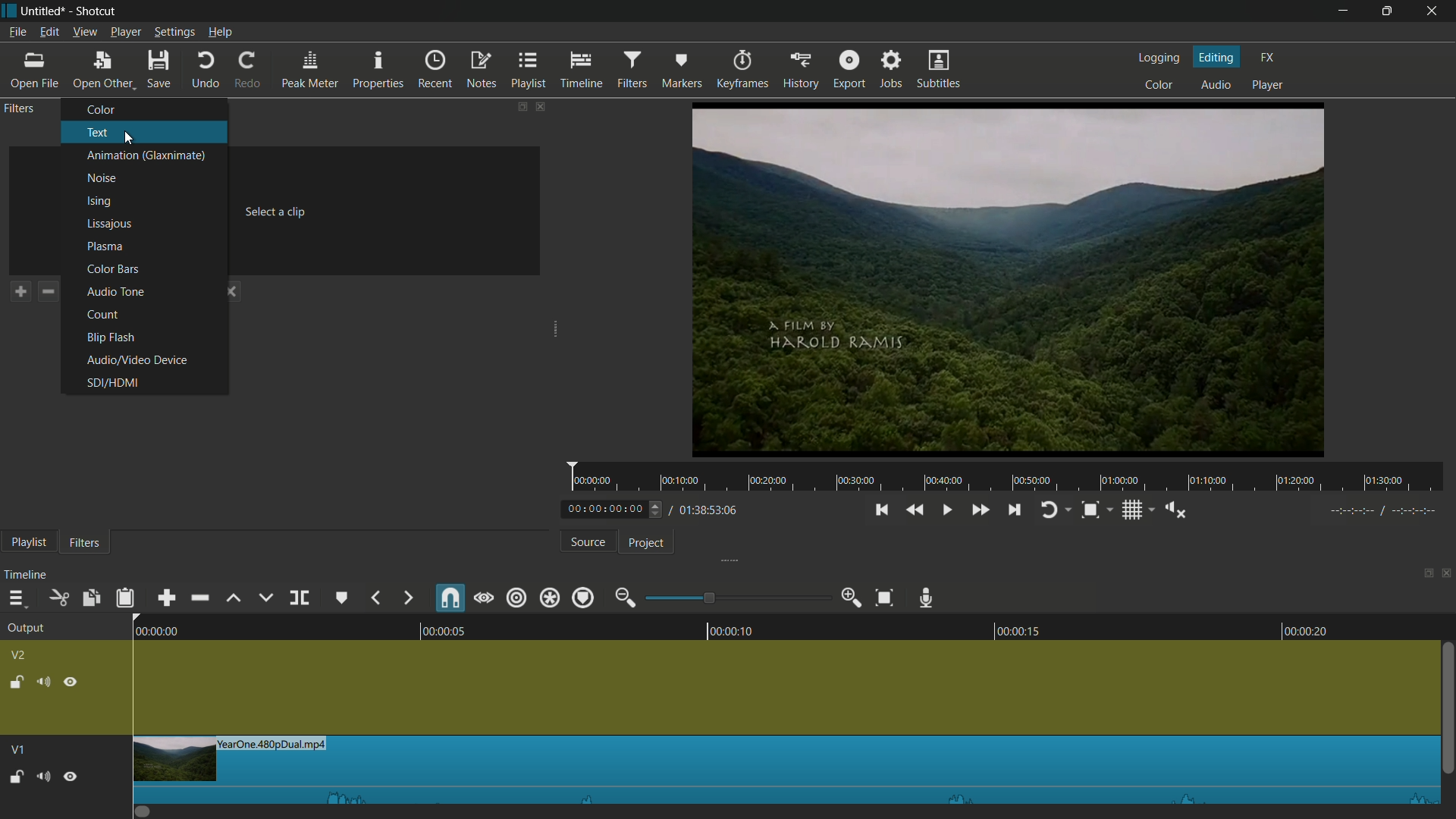  Describe the element at coordinates (49, 32) in the screenshot. I see `edit menu` at that location.